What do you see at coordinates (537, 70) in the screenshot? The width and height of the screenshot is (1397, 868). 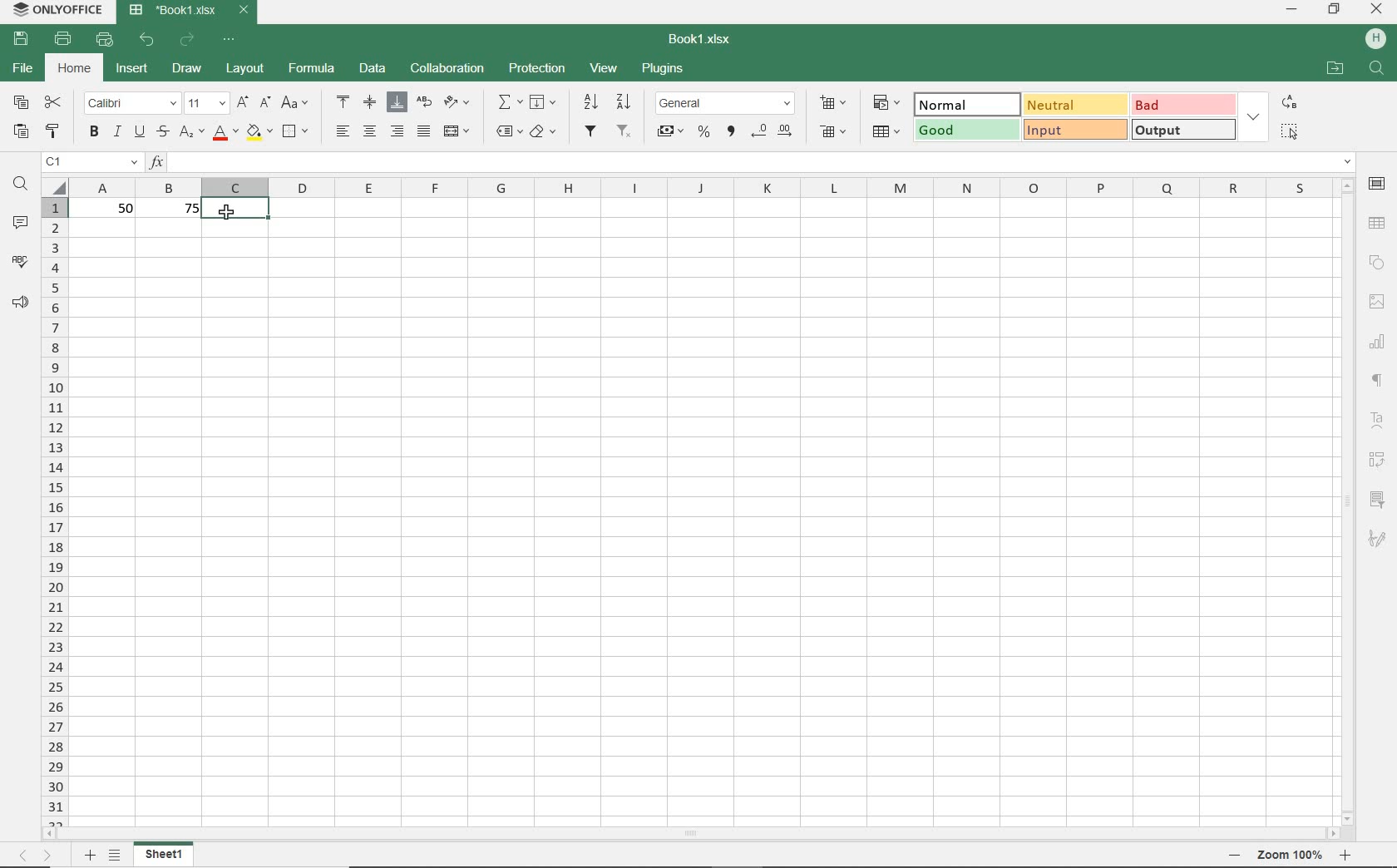 I see `protection` at bounding box center [537, 70].